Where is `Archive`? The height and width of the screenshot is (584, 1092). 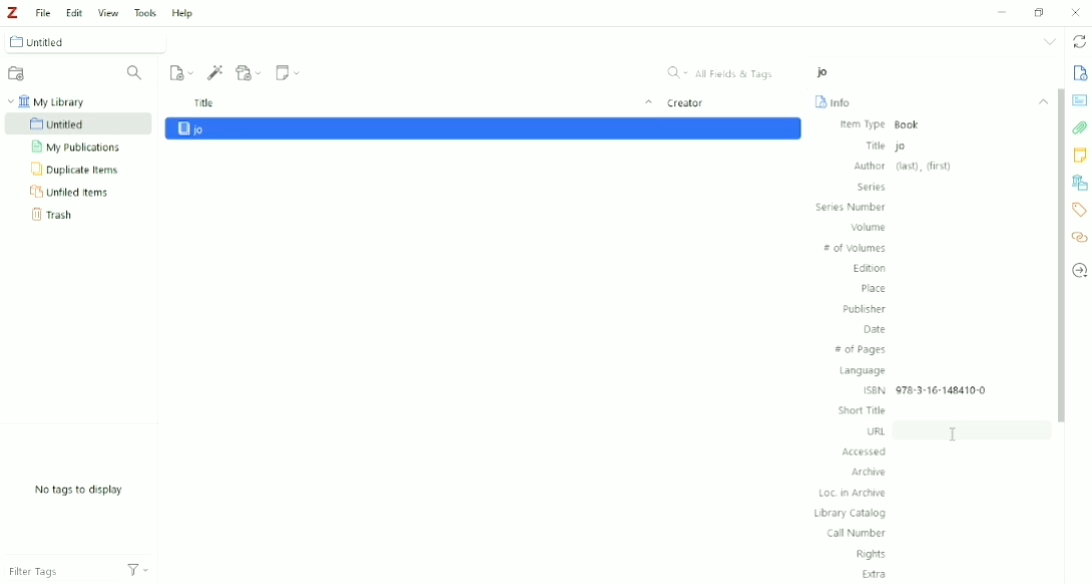 Archive is located at coordinates (871, 472).